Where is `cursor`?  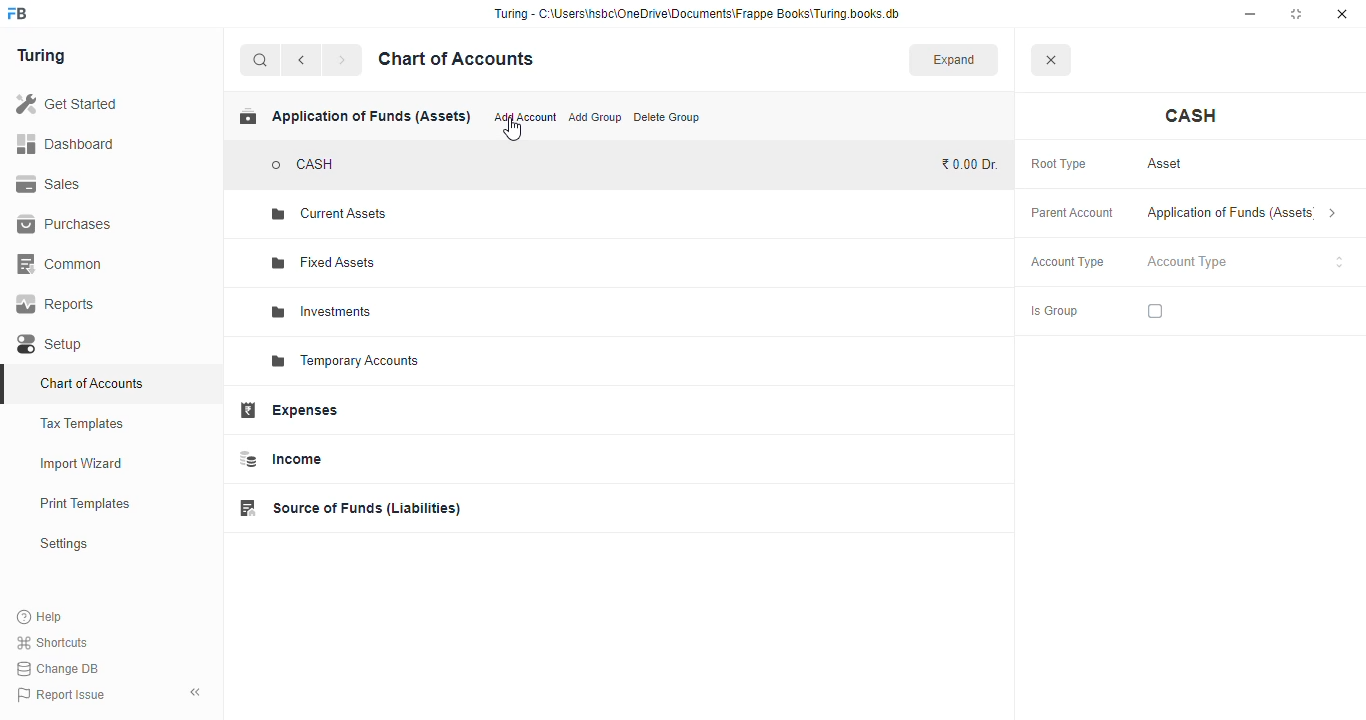 cursor is located at coordinates (512, 131).